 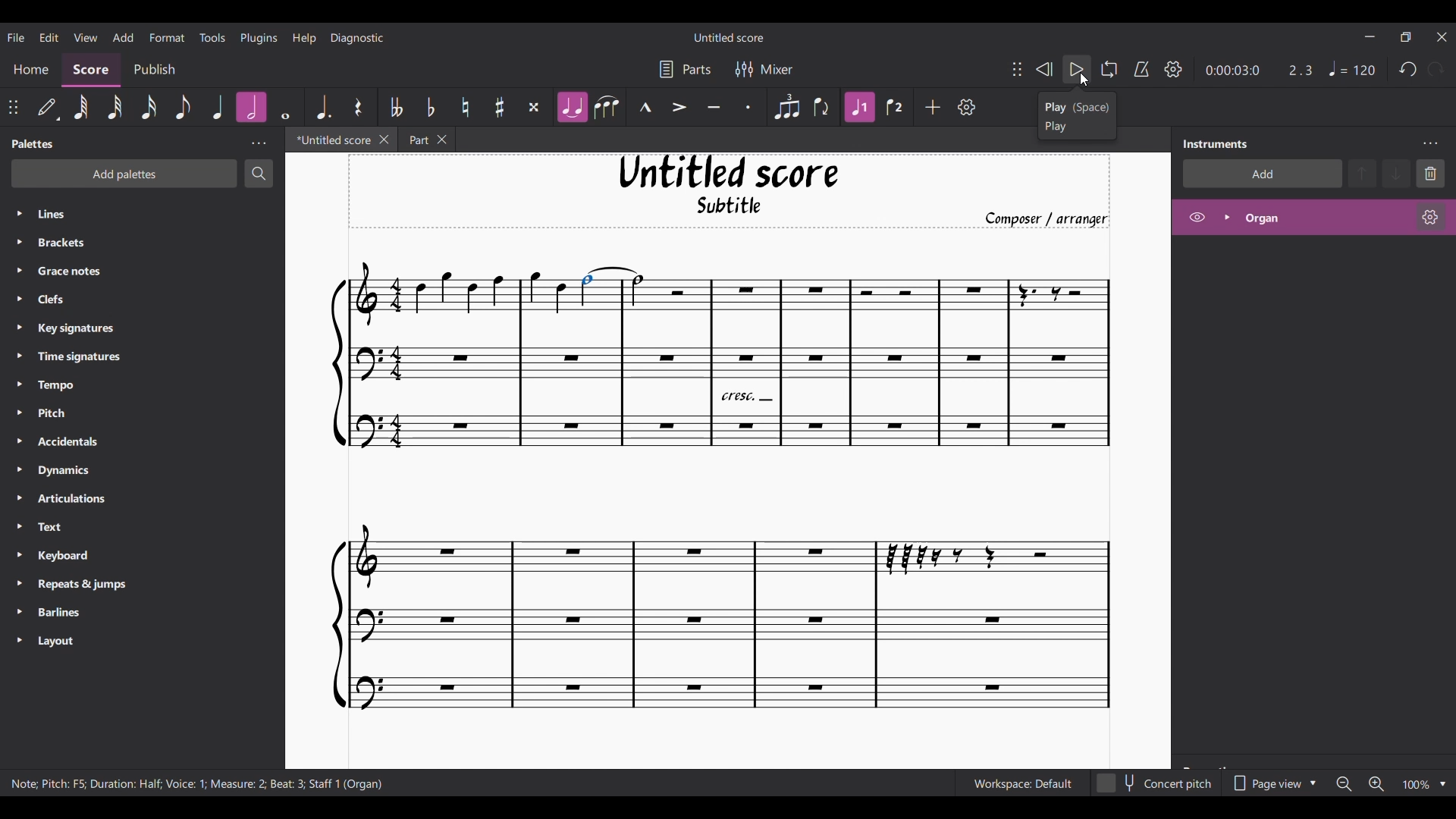 I want to click on Zoom options, so click(x=1443, y=785).